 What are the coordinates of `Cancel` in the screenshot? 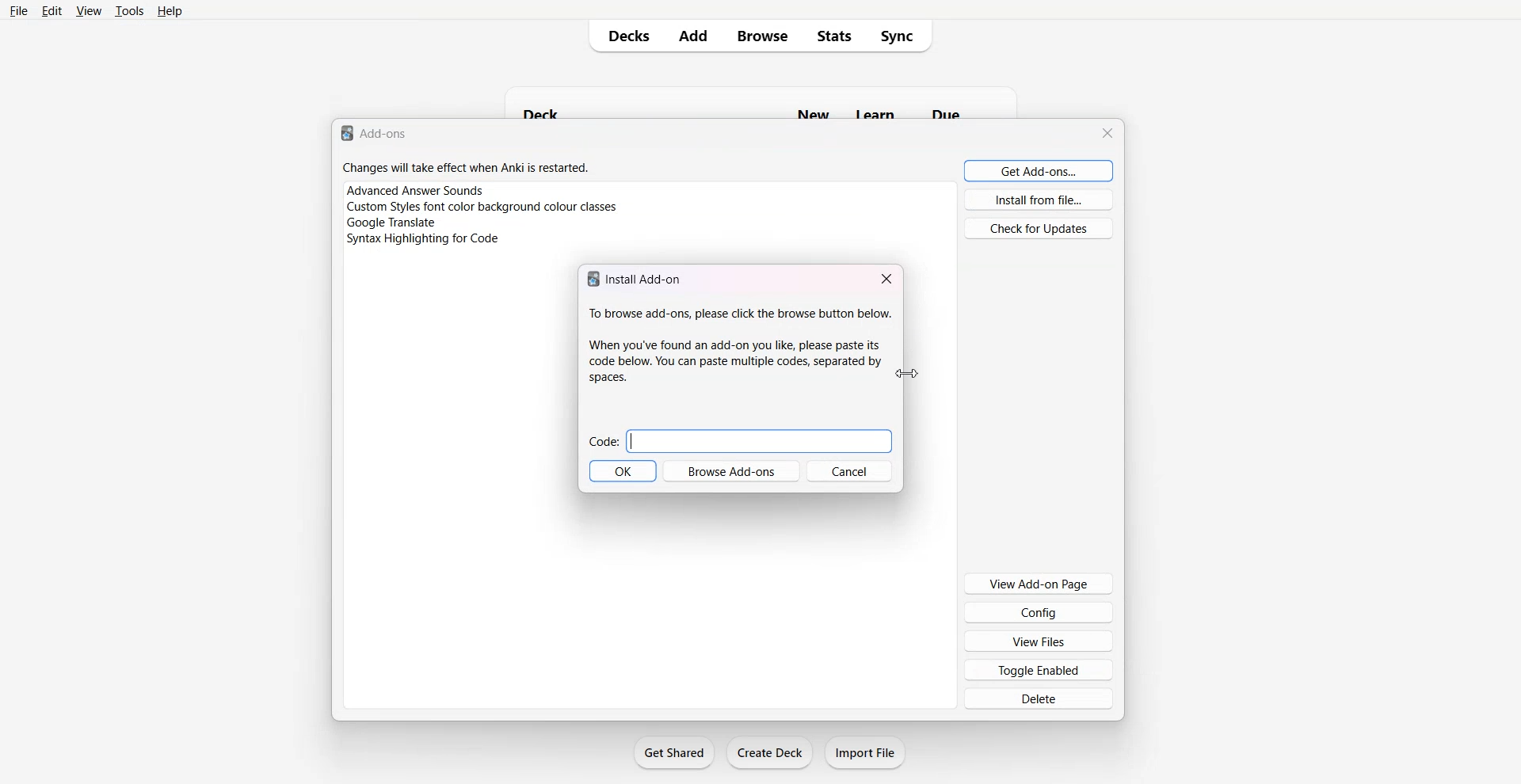 It's located at (849, 471).